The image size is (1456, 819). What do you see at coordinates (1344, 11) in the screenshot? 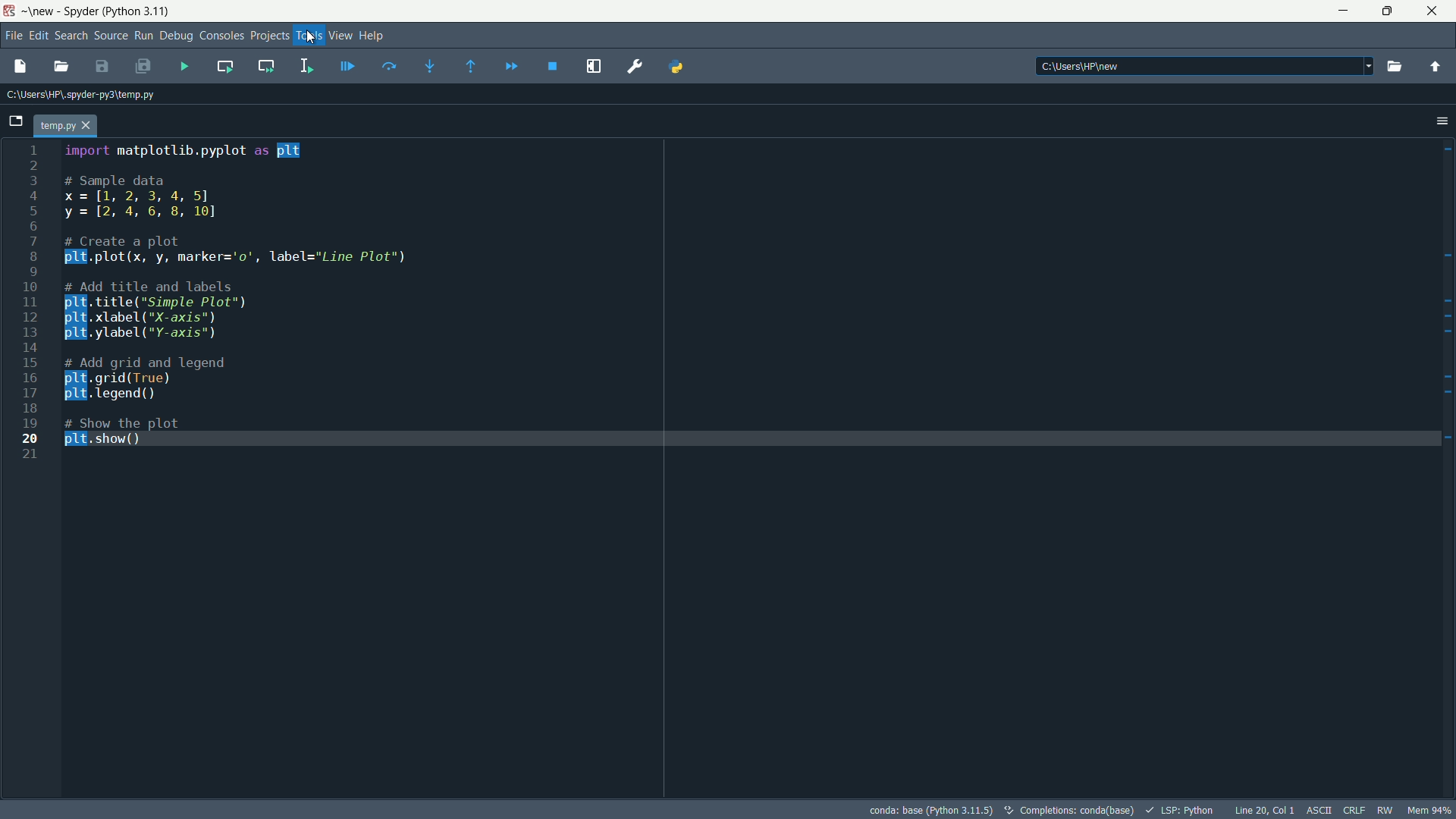
I see `minimize` at bounding box center [1344, 11].